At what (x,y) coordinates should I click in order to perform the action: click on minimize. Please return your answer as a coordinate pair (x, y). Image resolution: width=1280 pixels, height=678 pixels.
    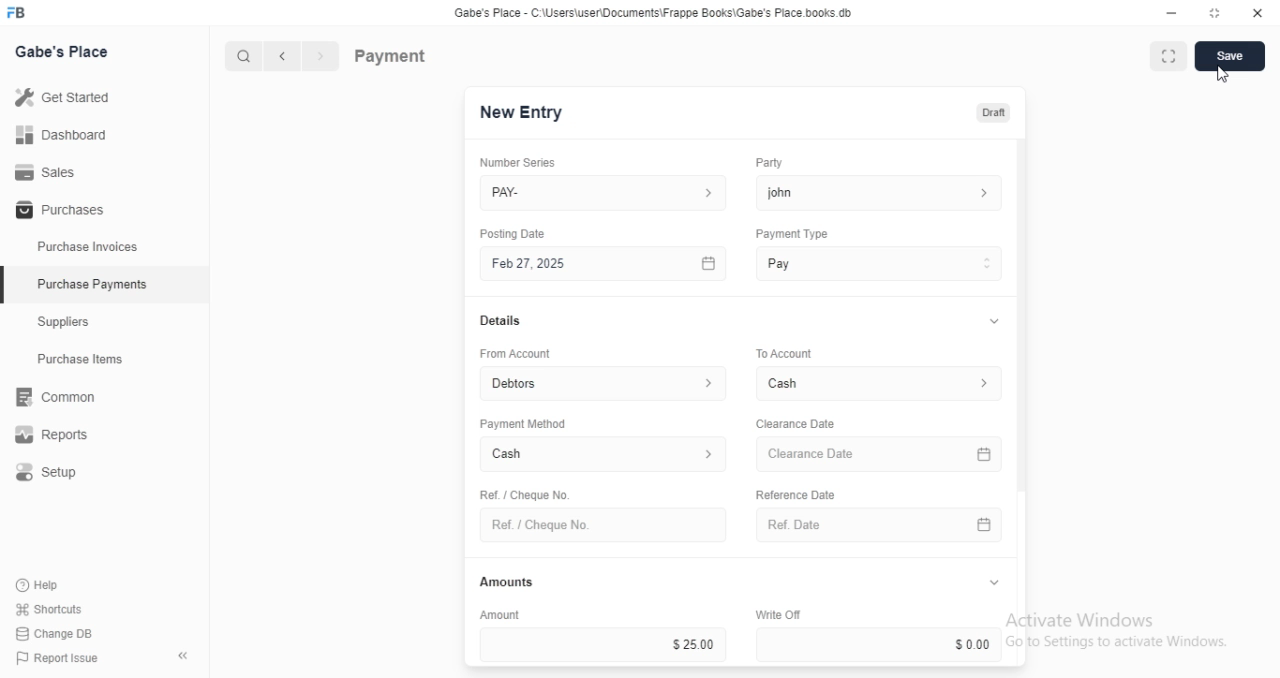
    Looking at the image, I should click on (1166, 12).